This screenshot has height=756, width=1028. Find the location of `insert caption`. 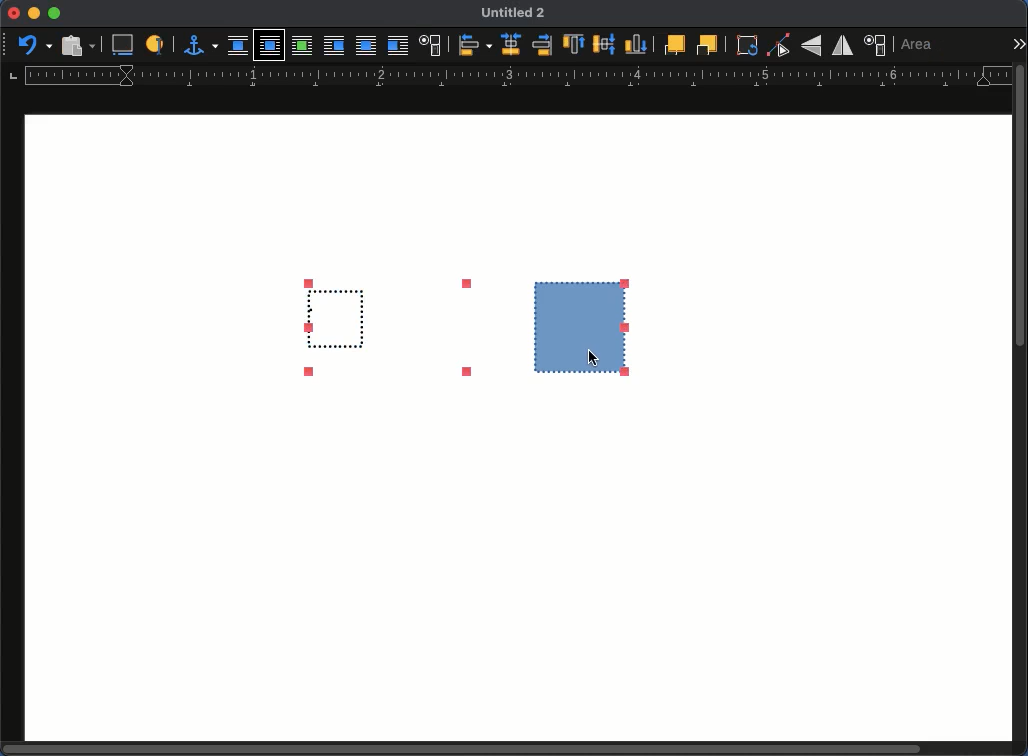

insert caption is located at coordinates (123, 45).